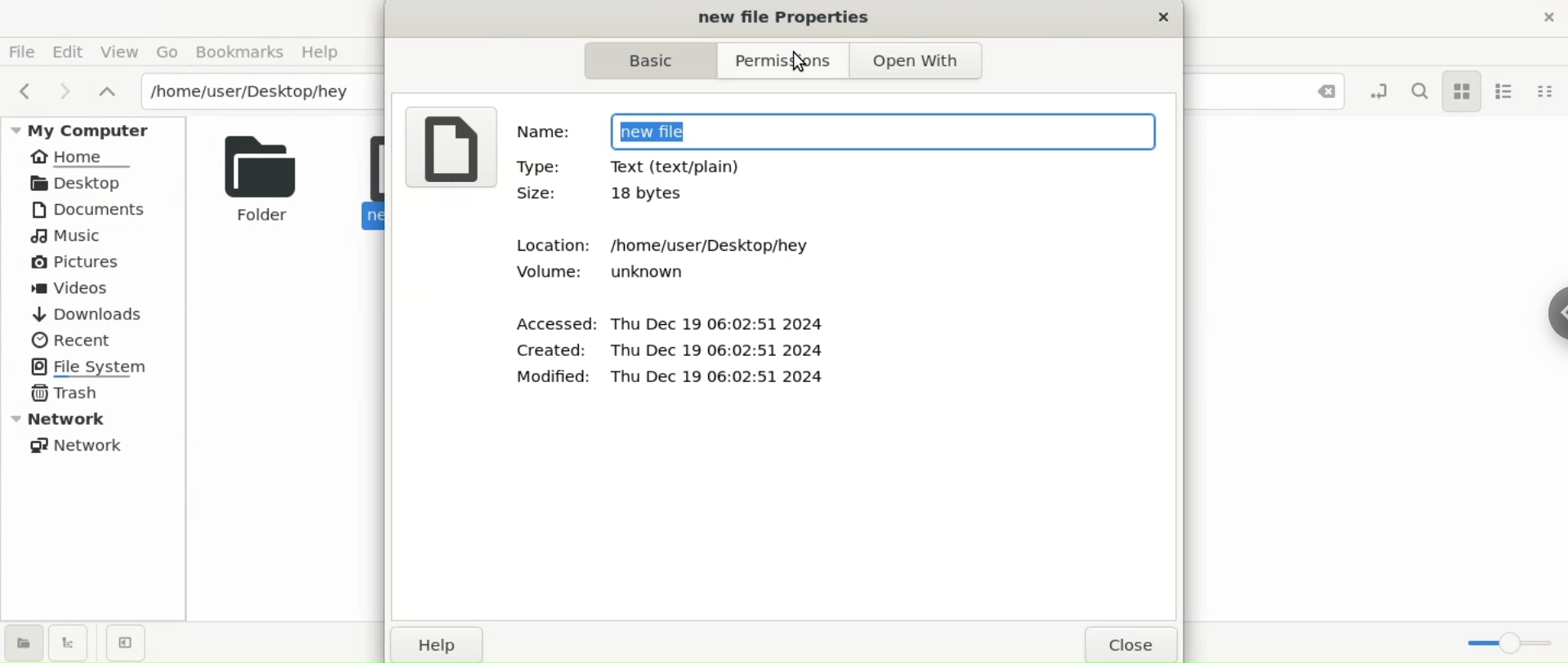 The width and height of the screenshot is (1568, 663). I want to click on Close, so click(1316, 95).